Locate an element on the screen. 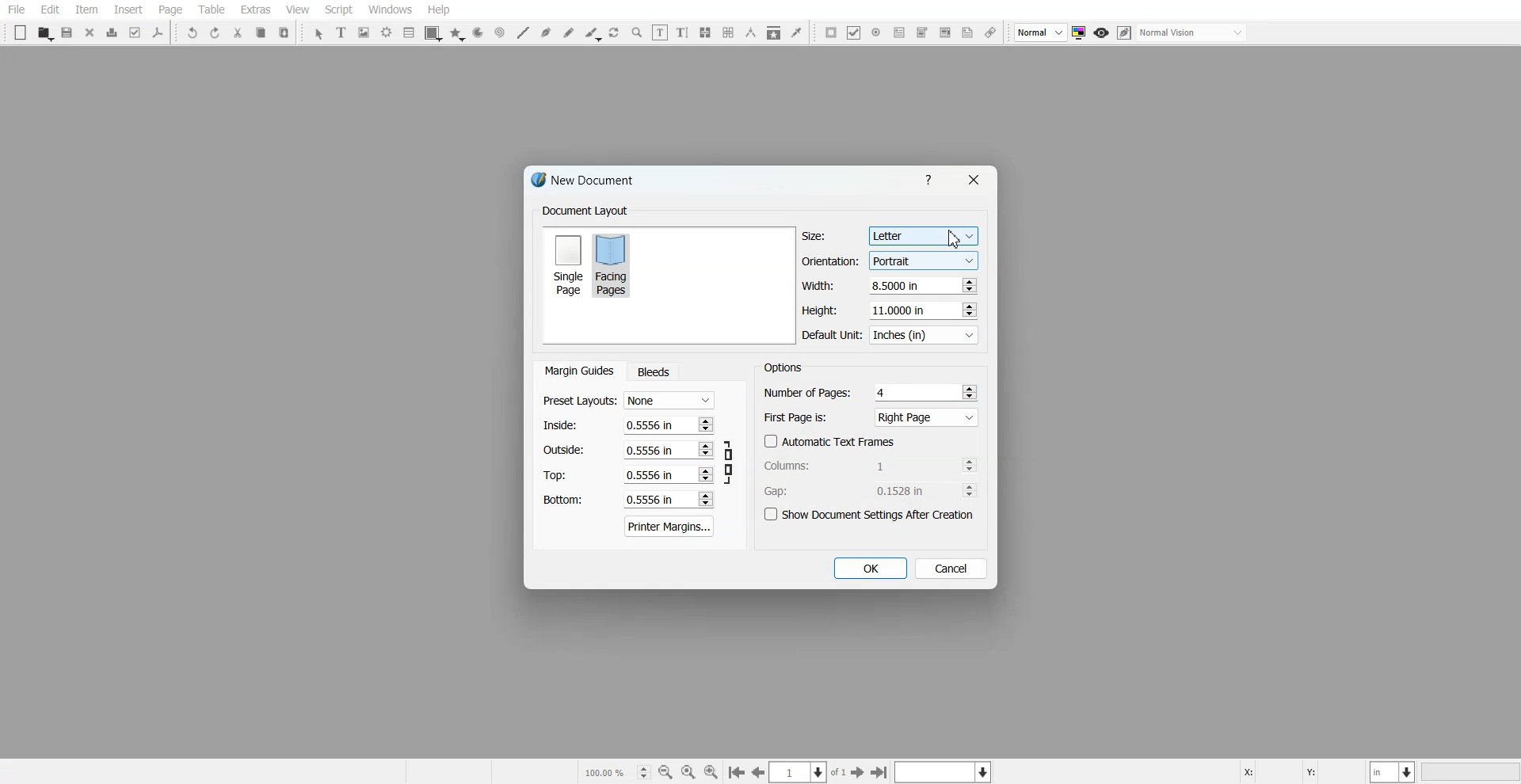 This screenshot has width=1521, height=784. Orientation is located at coordinates (890, 261).